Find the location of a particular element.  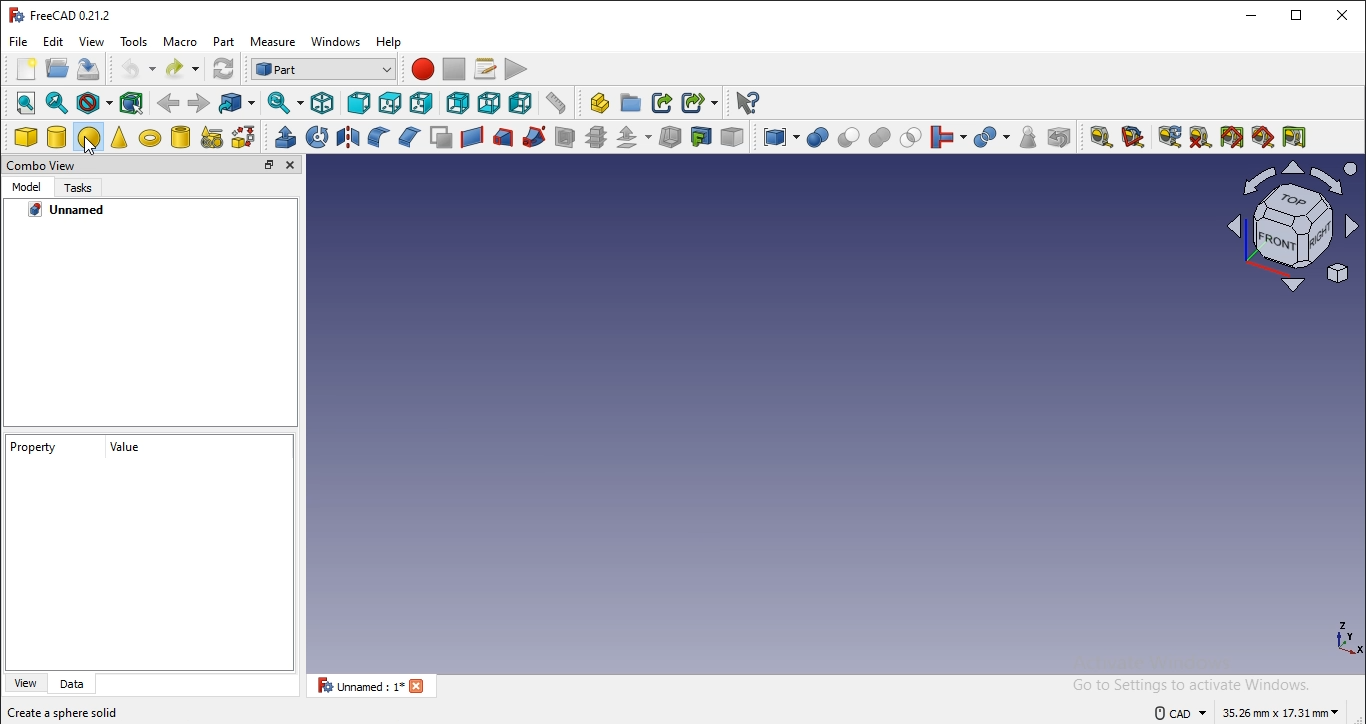

property is located at coordinates (37, 447).